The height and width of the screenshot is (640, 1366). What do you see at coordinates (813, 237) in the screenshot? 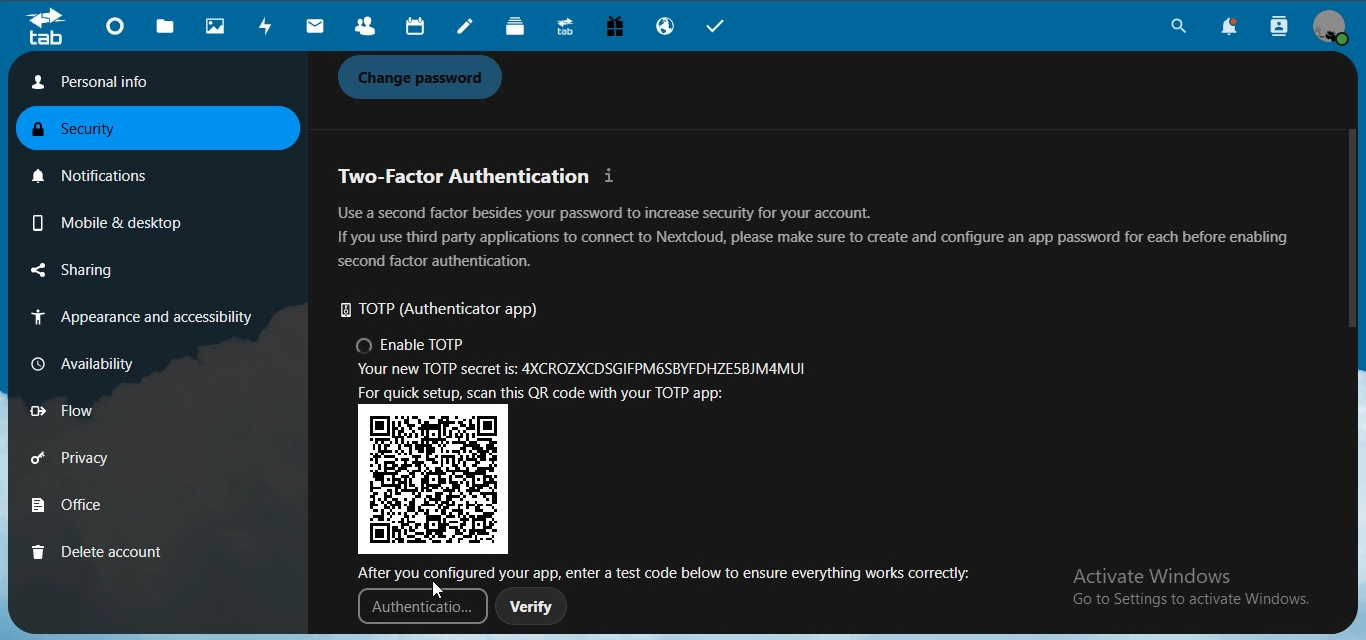
I see `Use a second factor besides your password to increase security for your account.
If you use third party applications to connect to Nextcloud, please make sure to create and configure an app password for each before enabling
second factor authentication.` at bounding box center [813, 237].